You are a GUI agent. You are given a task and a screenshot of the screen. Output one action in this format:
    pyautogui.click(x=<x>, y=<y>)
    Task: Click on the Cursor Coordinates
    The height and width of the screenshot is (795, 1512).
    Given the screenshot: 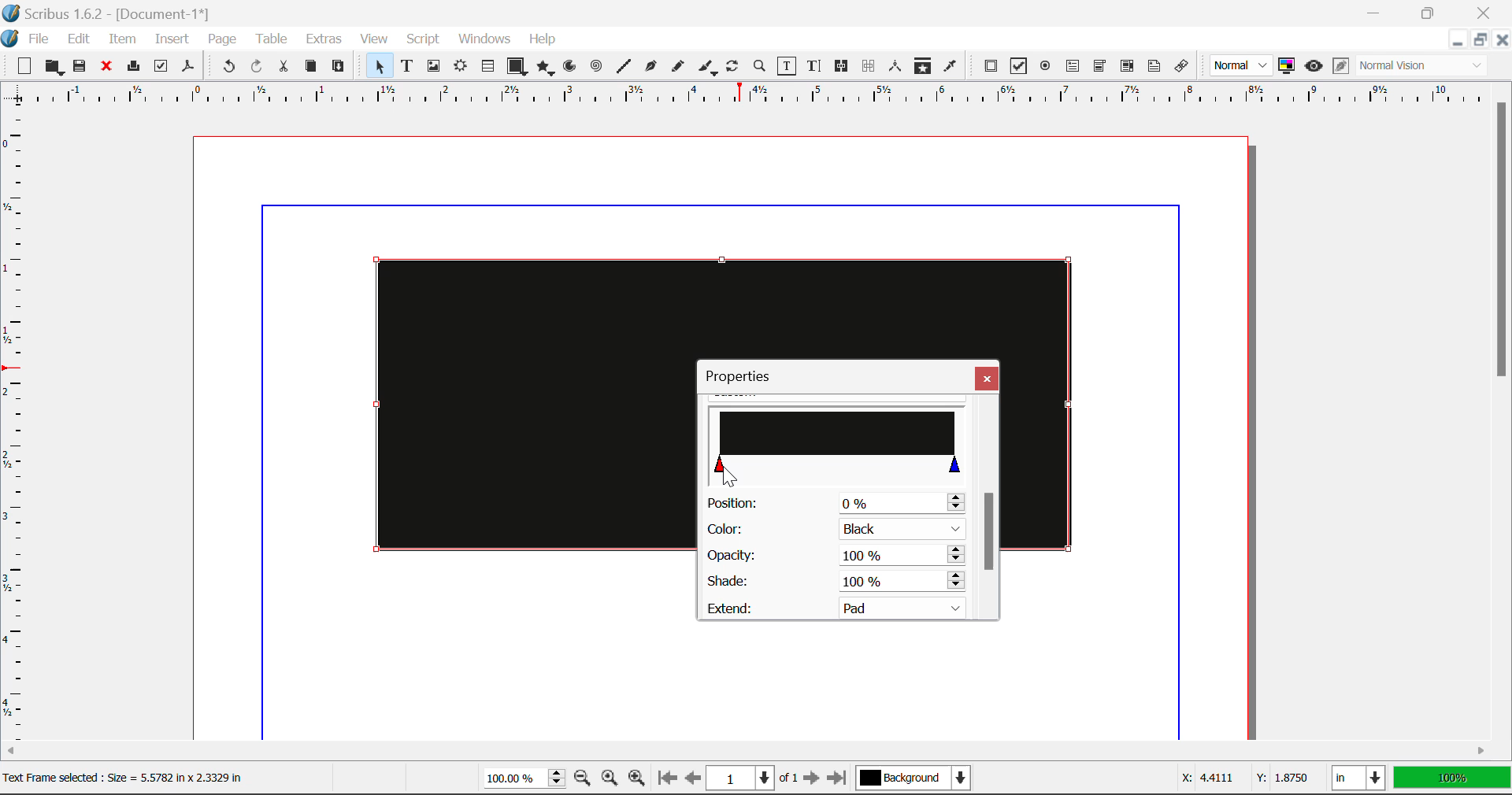 What is the action you would take?
    pyautogui.click(x=1241, y=778)
    